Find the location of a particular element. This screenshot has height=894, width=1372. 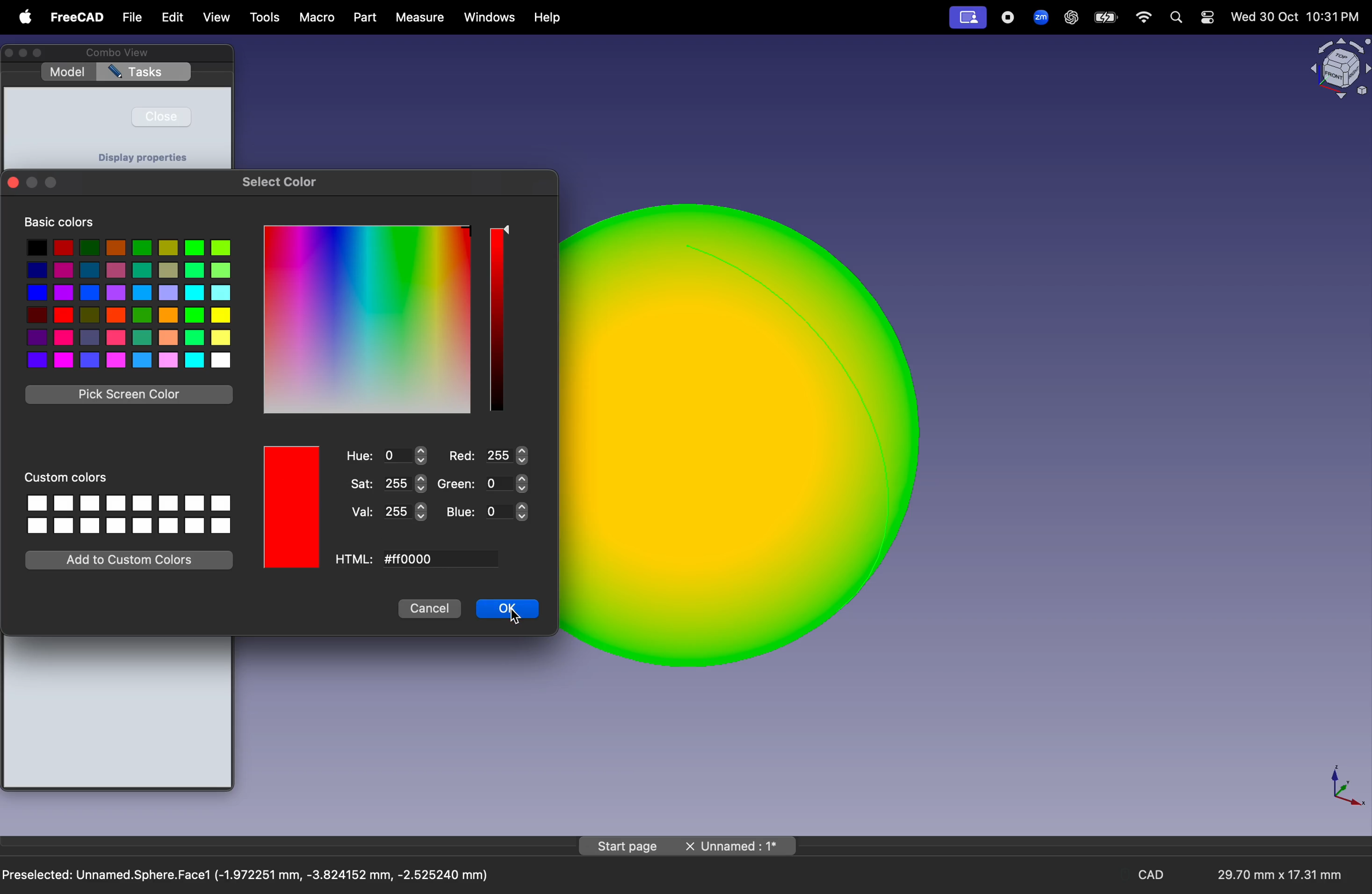

minimize is located at coordinates (32, 183).